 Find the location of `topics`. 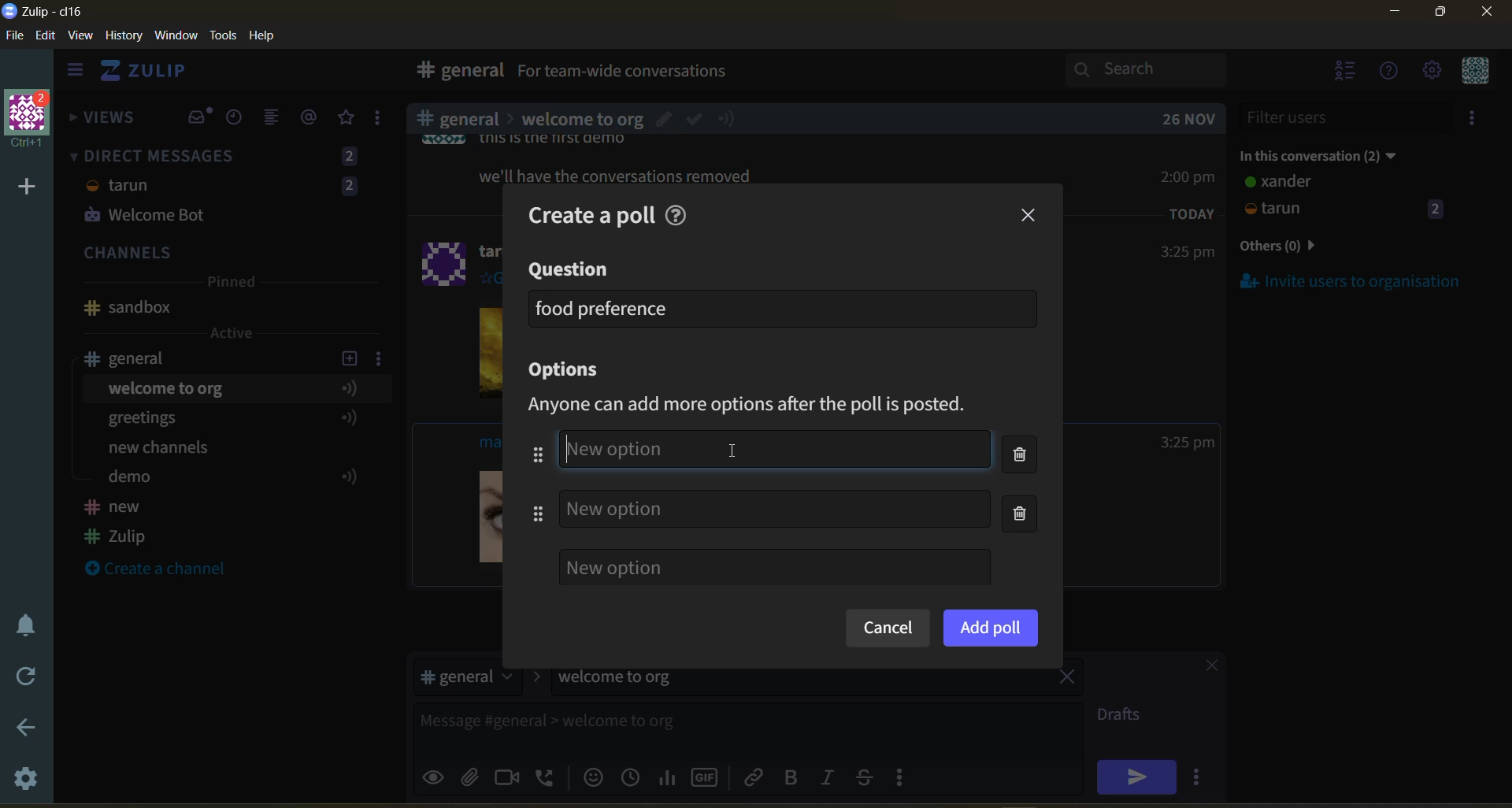

topics is located at coordinates (228, 436).